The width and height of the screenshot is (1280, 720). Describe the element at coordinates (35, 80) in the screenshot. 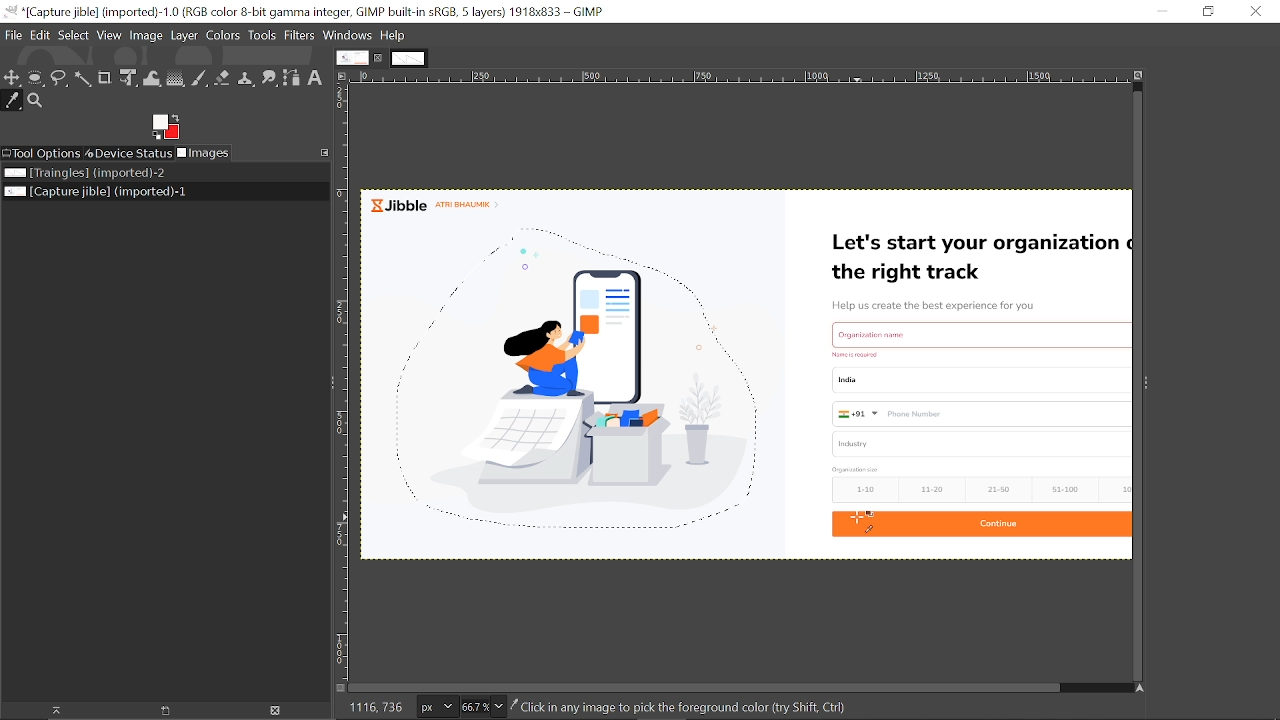

I see `Ellipse select tool` at that location.